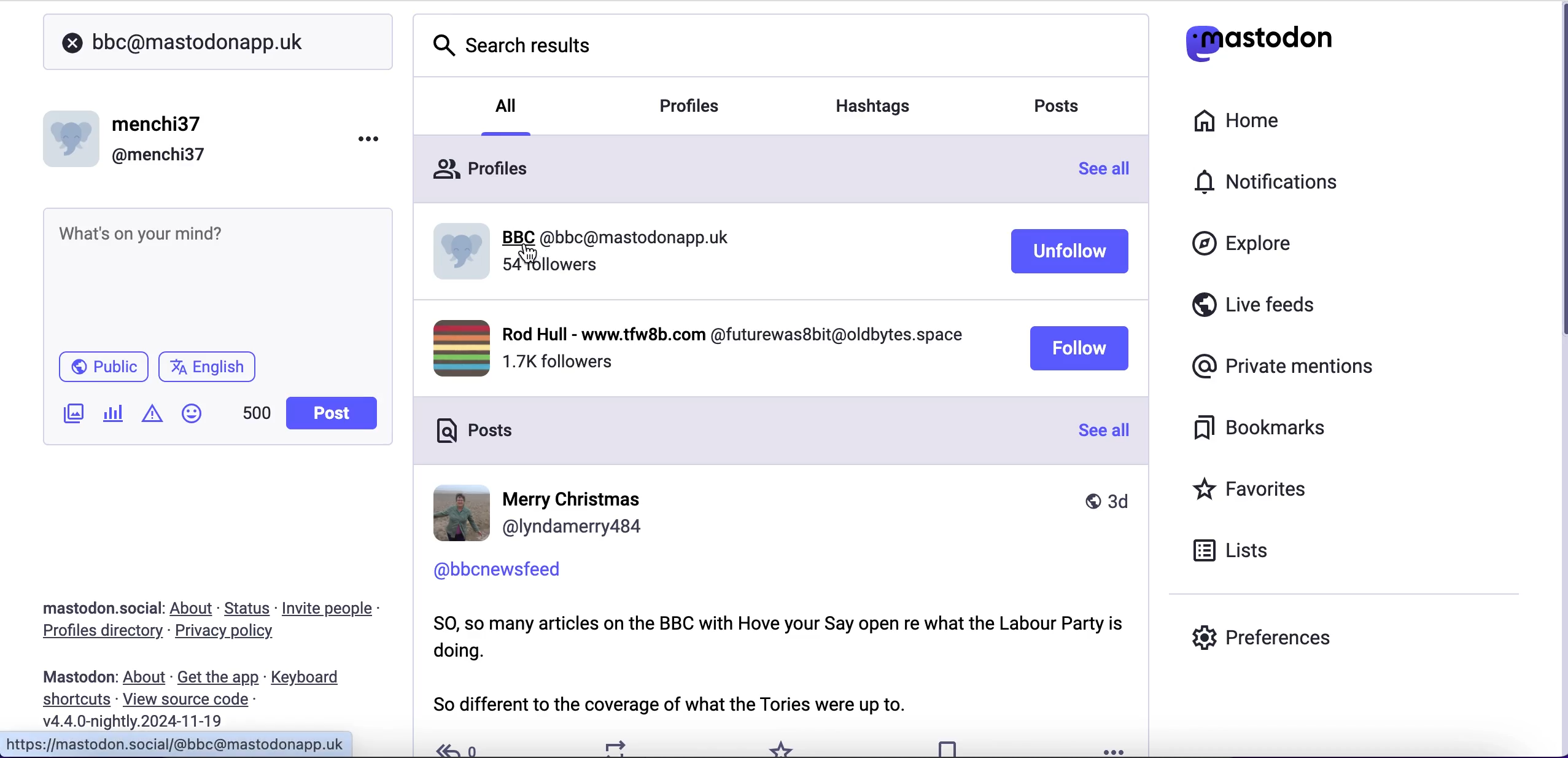 The image size is (1568, 758). Describe the element at coordinates (1263, 428) in the screenshot. I see `bookmarks` at that location.